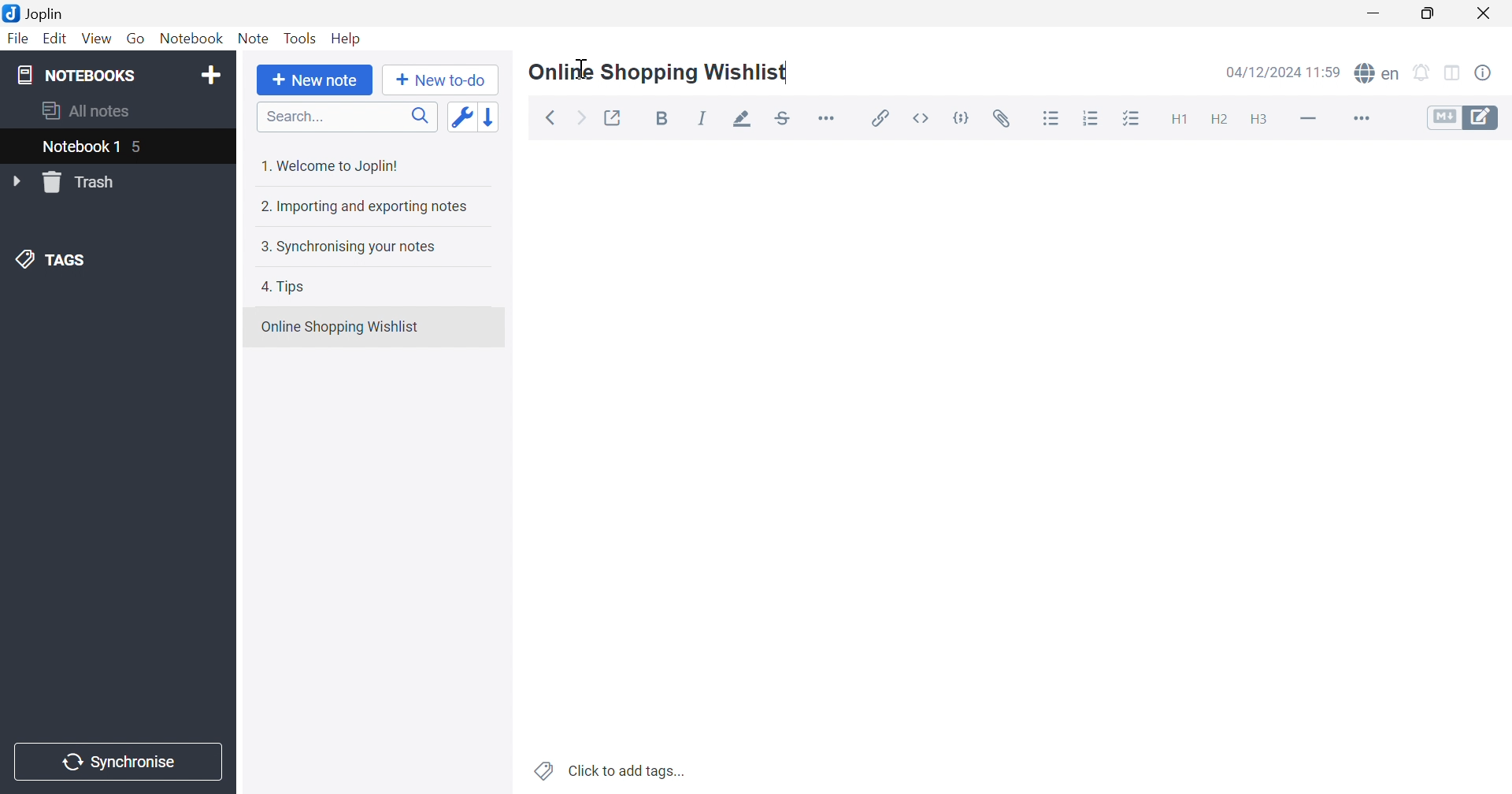 The image size is (1512, 794). I want to click on Attach file, so click(1006, 121).